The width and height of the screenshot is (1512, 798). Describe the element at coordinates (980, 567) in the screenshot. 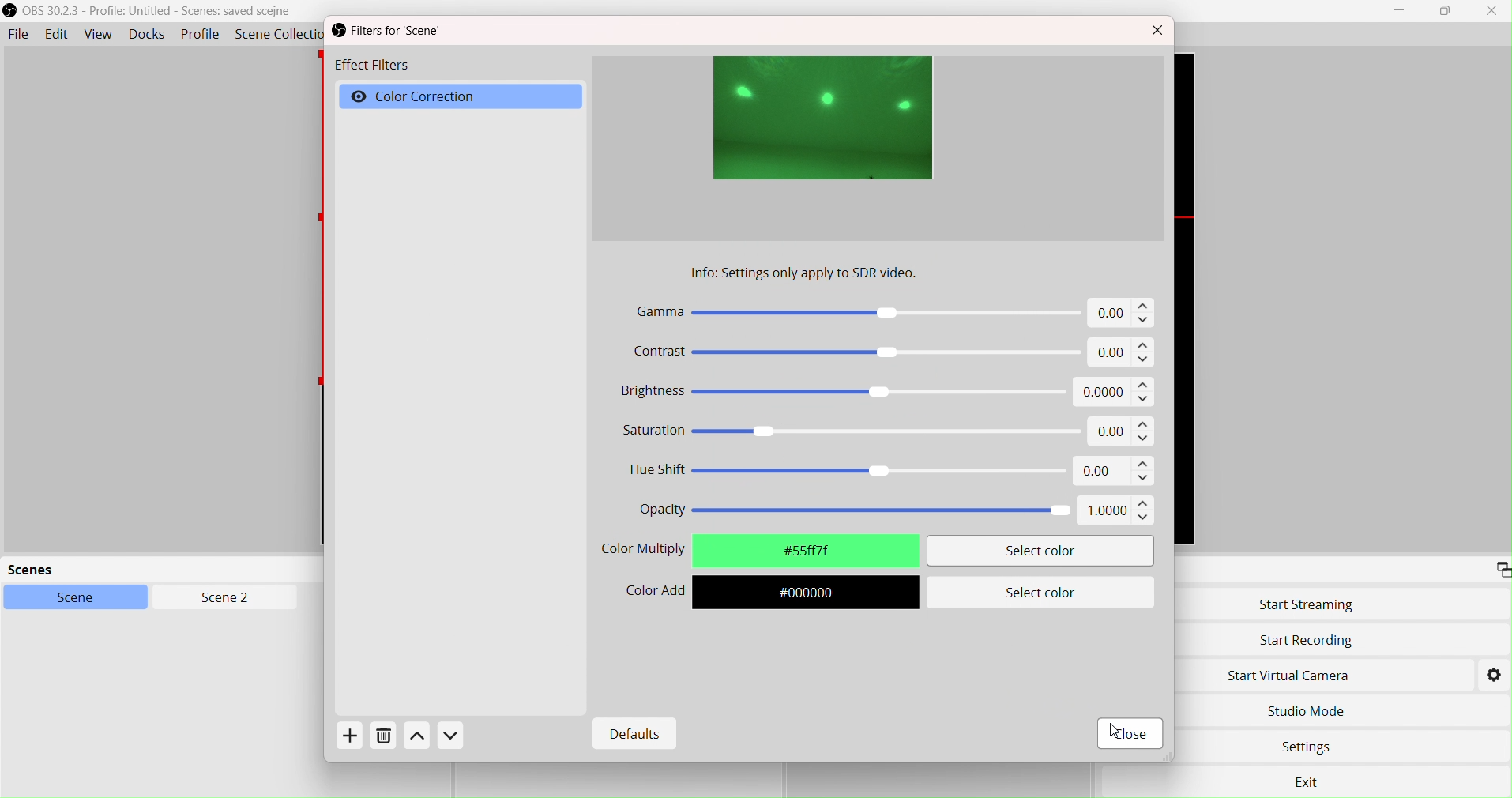

I see `cursor` at that location.